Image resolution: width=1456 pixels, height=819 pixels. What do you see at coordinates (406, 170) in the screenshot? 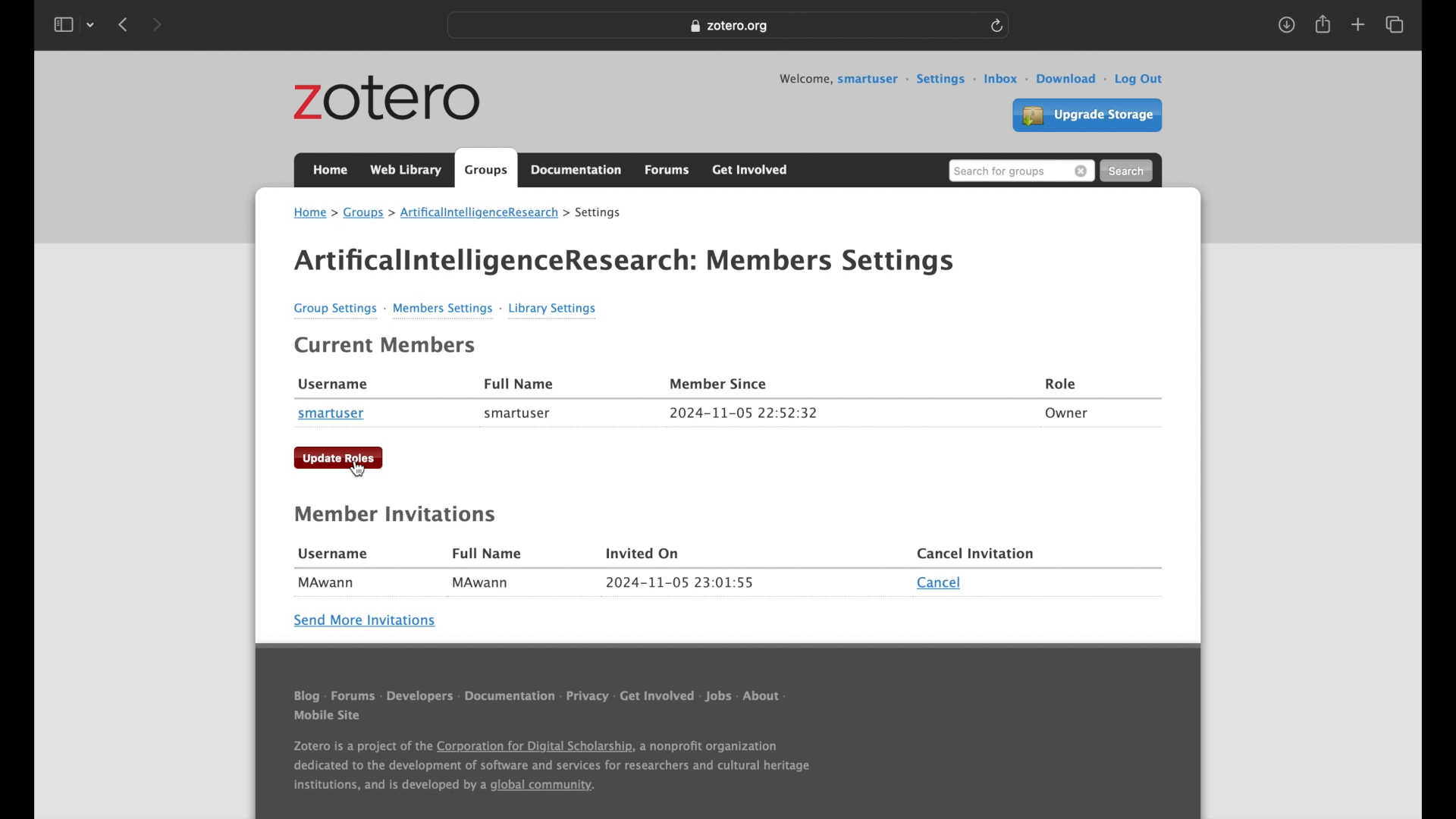
I see `web library` at bounding box center [406, 170].